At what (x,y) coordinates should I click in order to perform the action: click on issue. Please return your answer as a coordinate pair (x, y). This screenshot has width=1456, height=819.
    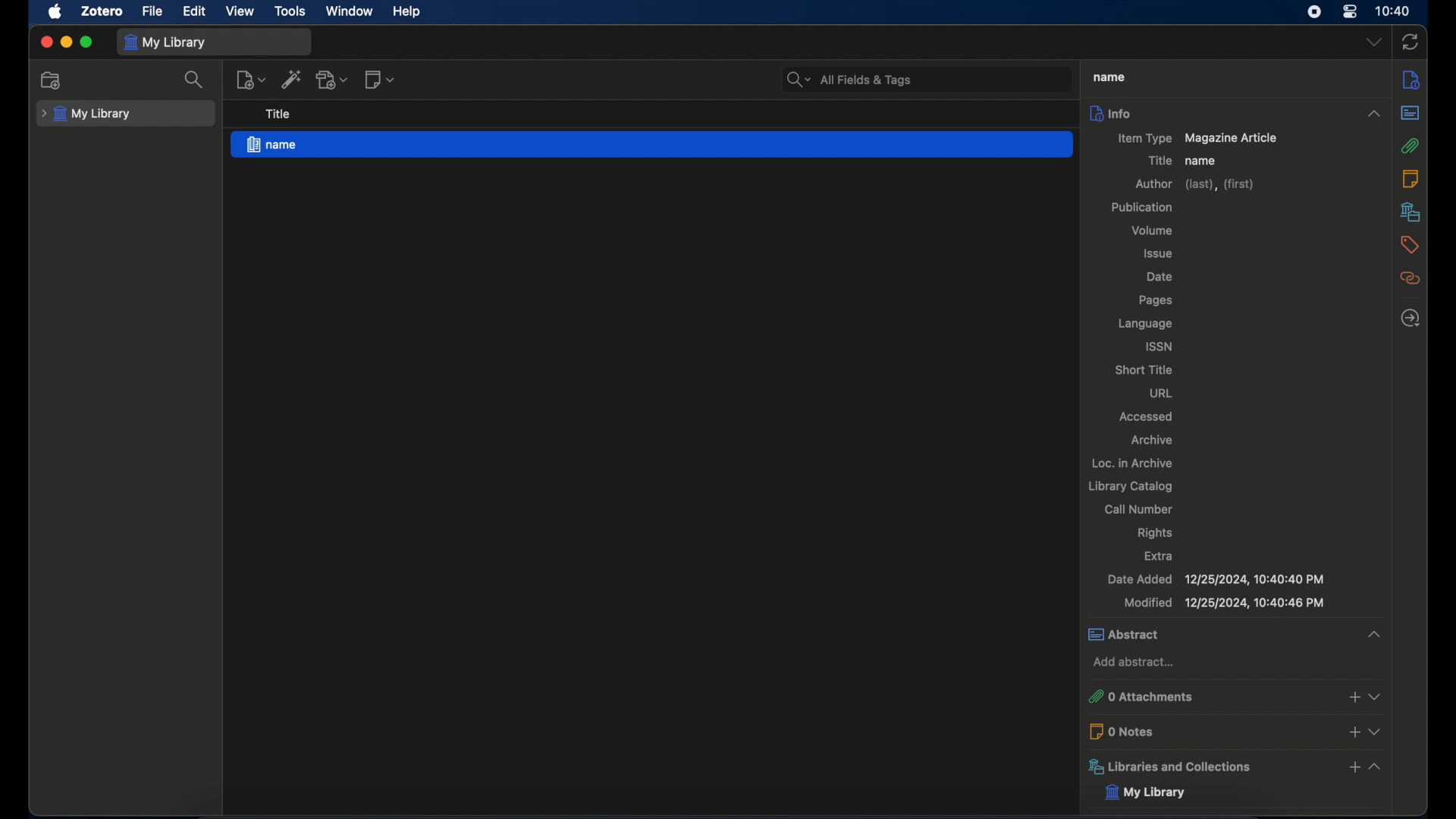
    Looking at the image, I should click on (1159, 254).